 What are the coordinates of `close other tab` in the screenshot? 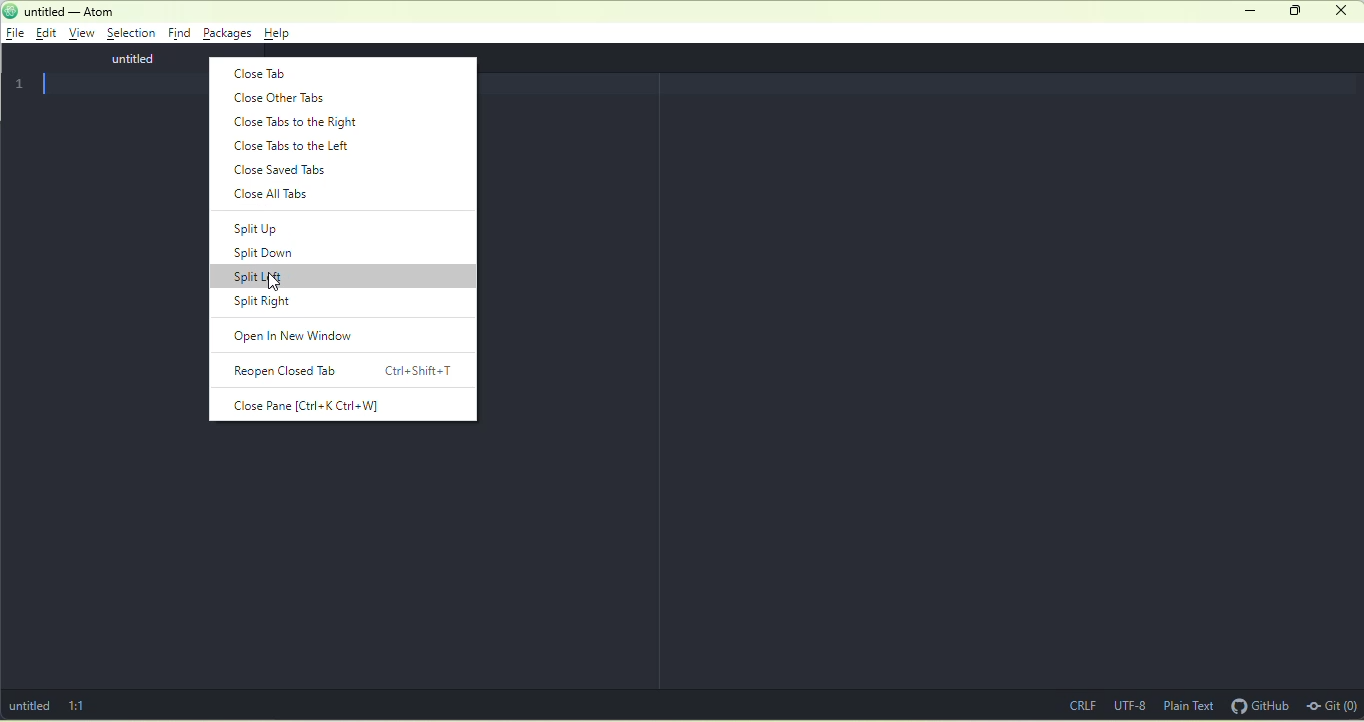 It's located at (286, 99).